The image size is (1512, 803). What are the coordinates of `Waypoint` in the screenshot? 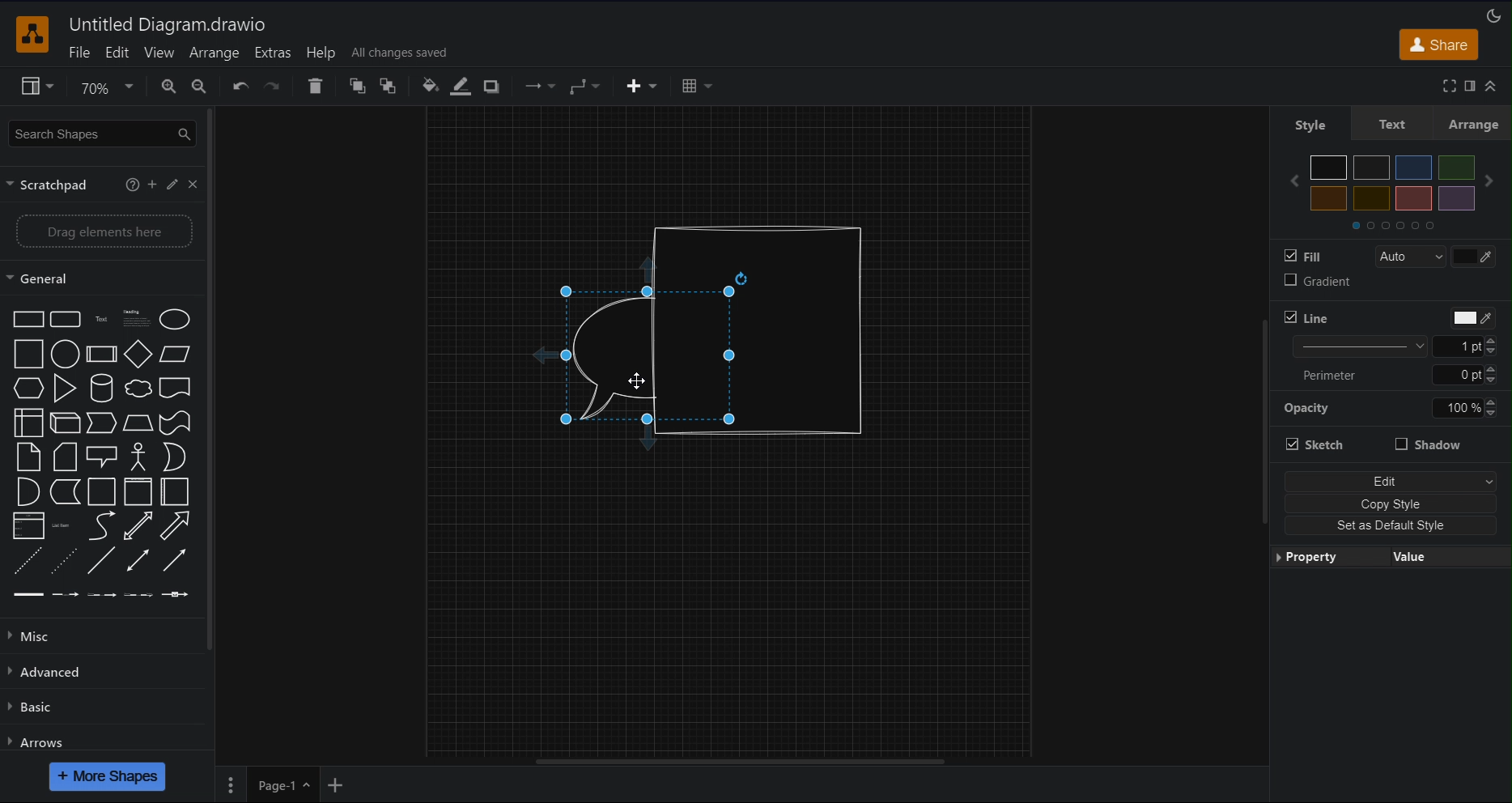 It's located at (586, 86).